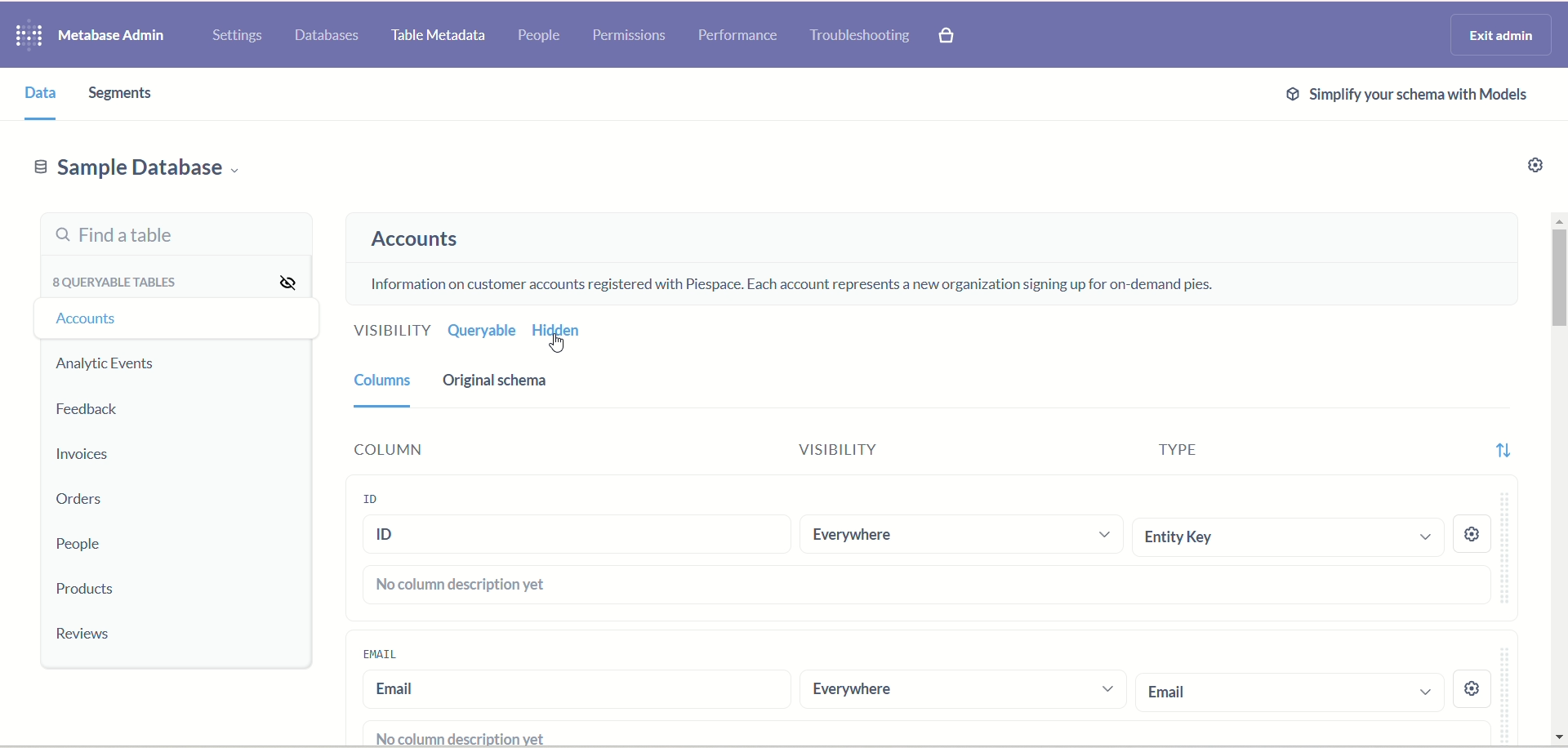  What do you see at coordinates (575, 537) in the screenshot?
I see `ID` at bounding box center [575, 537].